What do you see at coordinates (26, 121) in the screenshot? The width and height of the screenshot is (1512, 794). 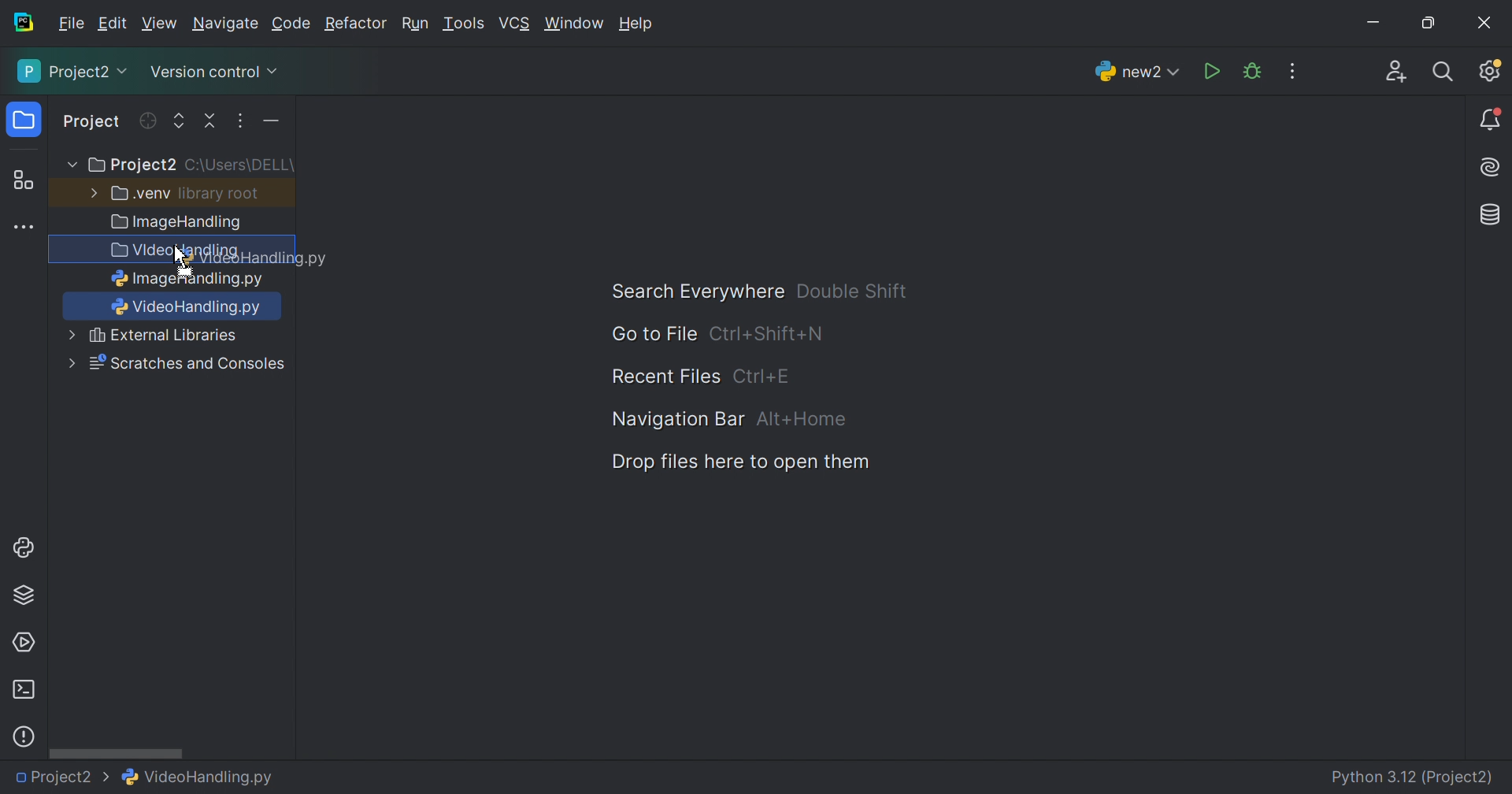 I see `Project icon` at bounding box center [26, 121].